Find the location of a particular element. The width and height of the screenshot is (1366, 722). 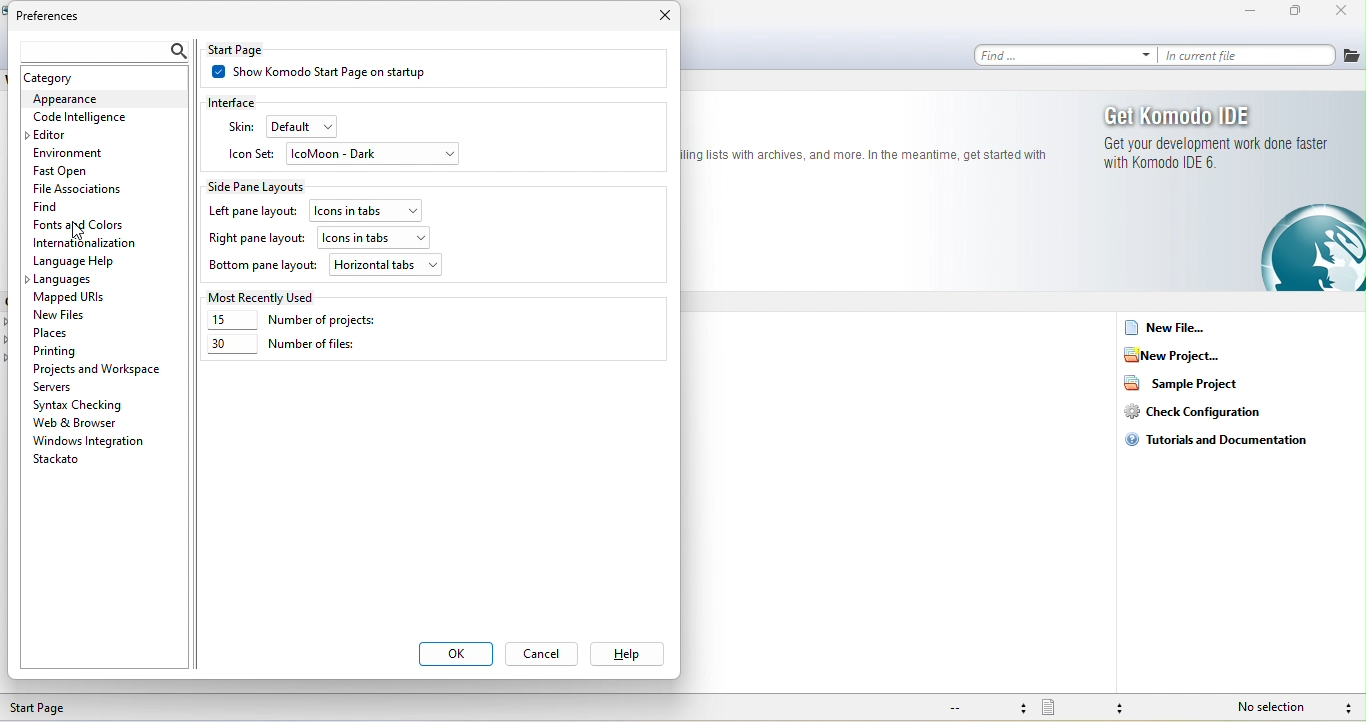

servers is located at coordinates (66, 387).